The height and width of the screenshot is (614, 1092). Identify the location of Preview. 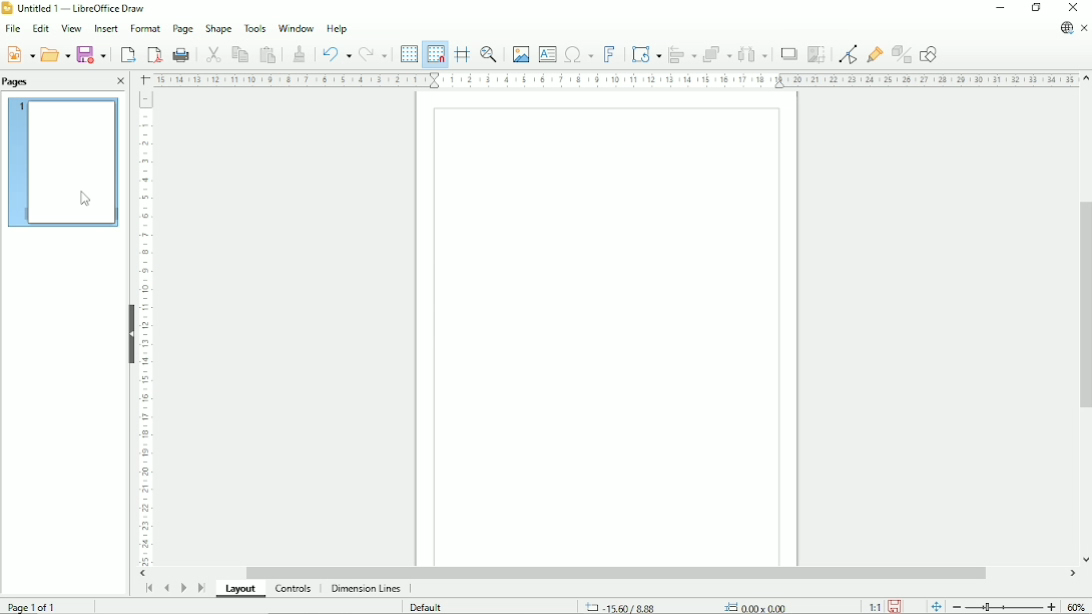
(65, 161).